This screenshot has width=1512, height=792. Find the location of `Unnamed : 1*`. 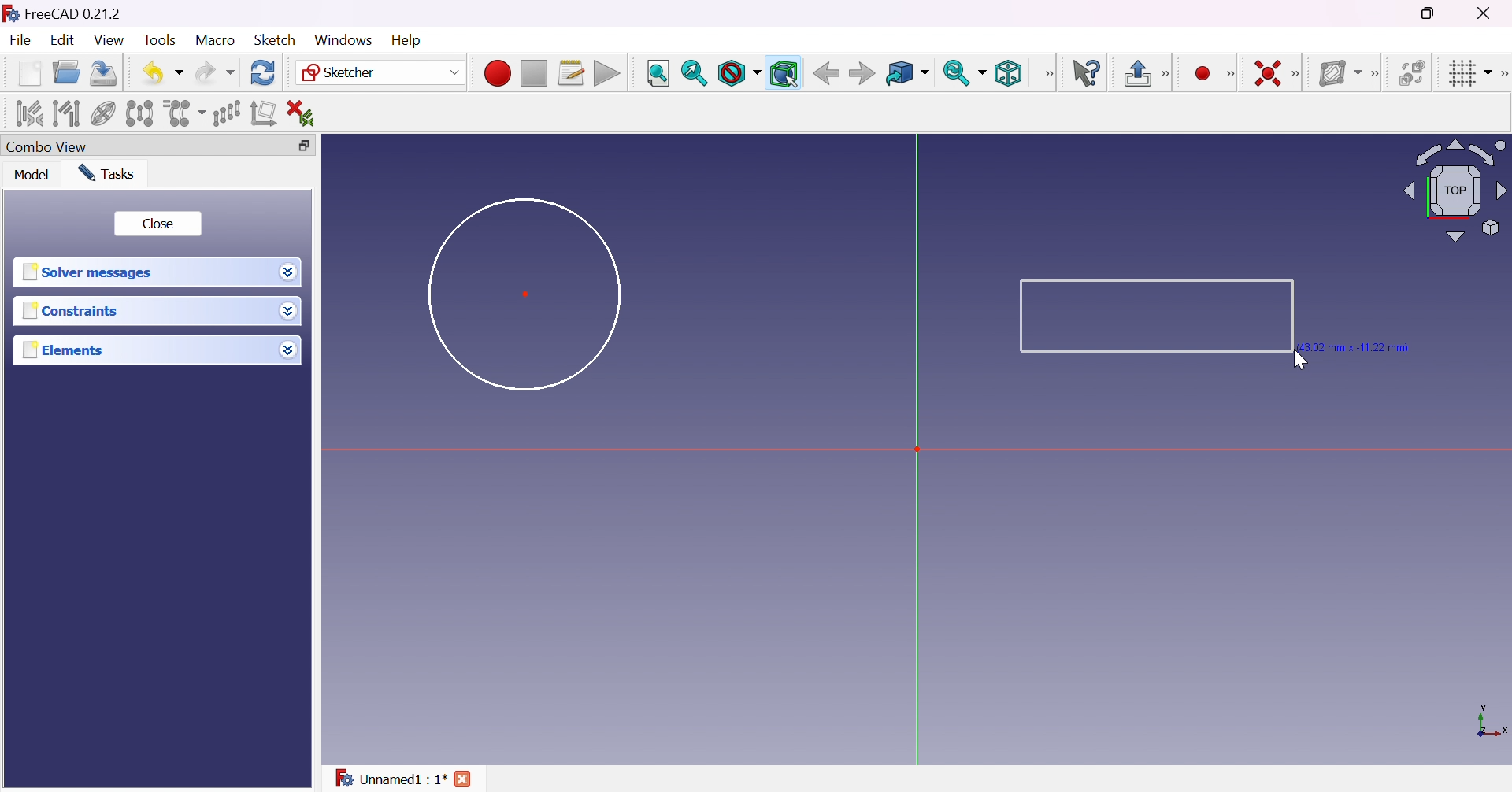

Unnamed : 1* is located at coordinates (390, 775).